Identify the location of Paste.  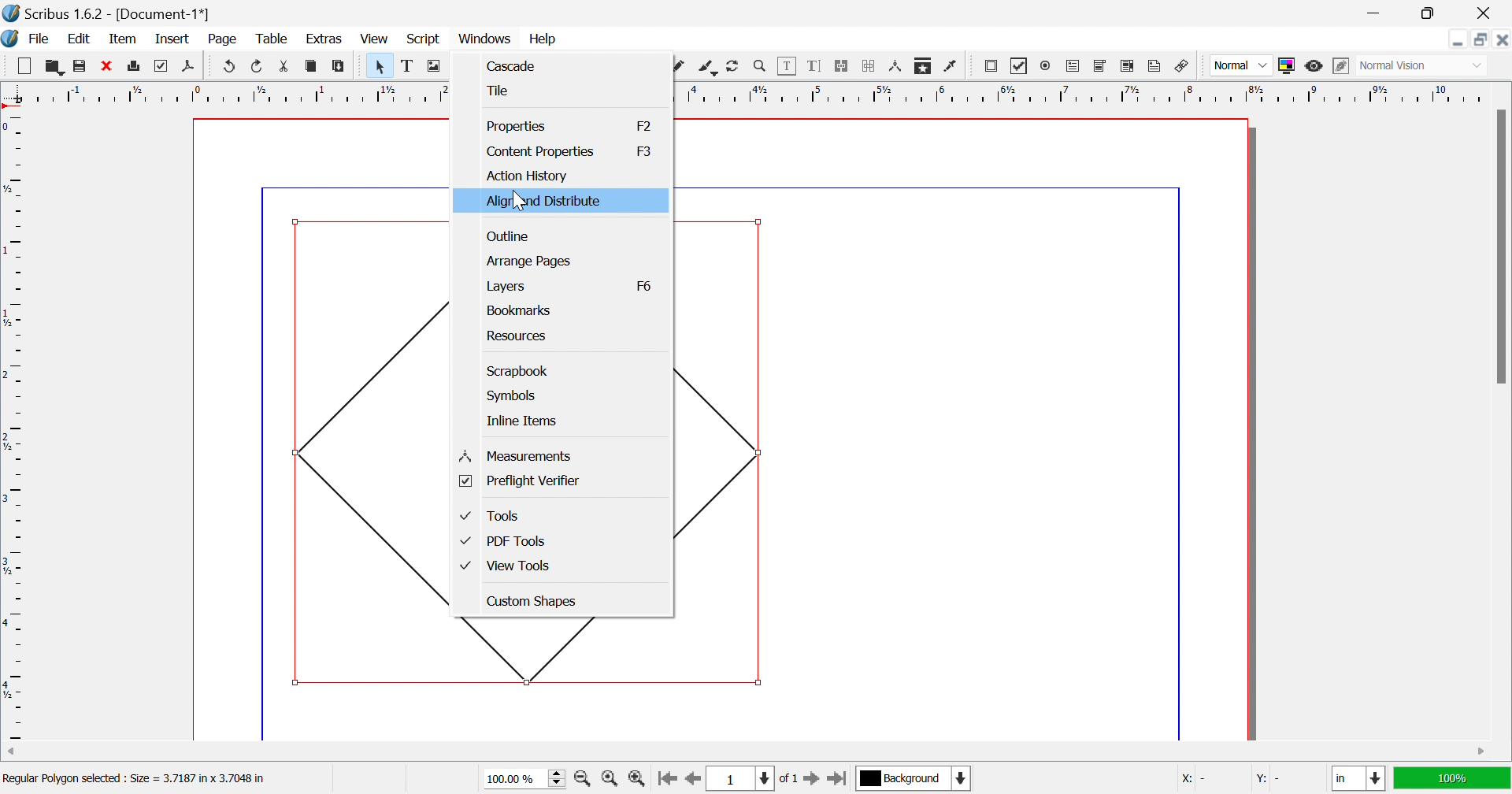
(341, 66).